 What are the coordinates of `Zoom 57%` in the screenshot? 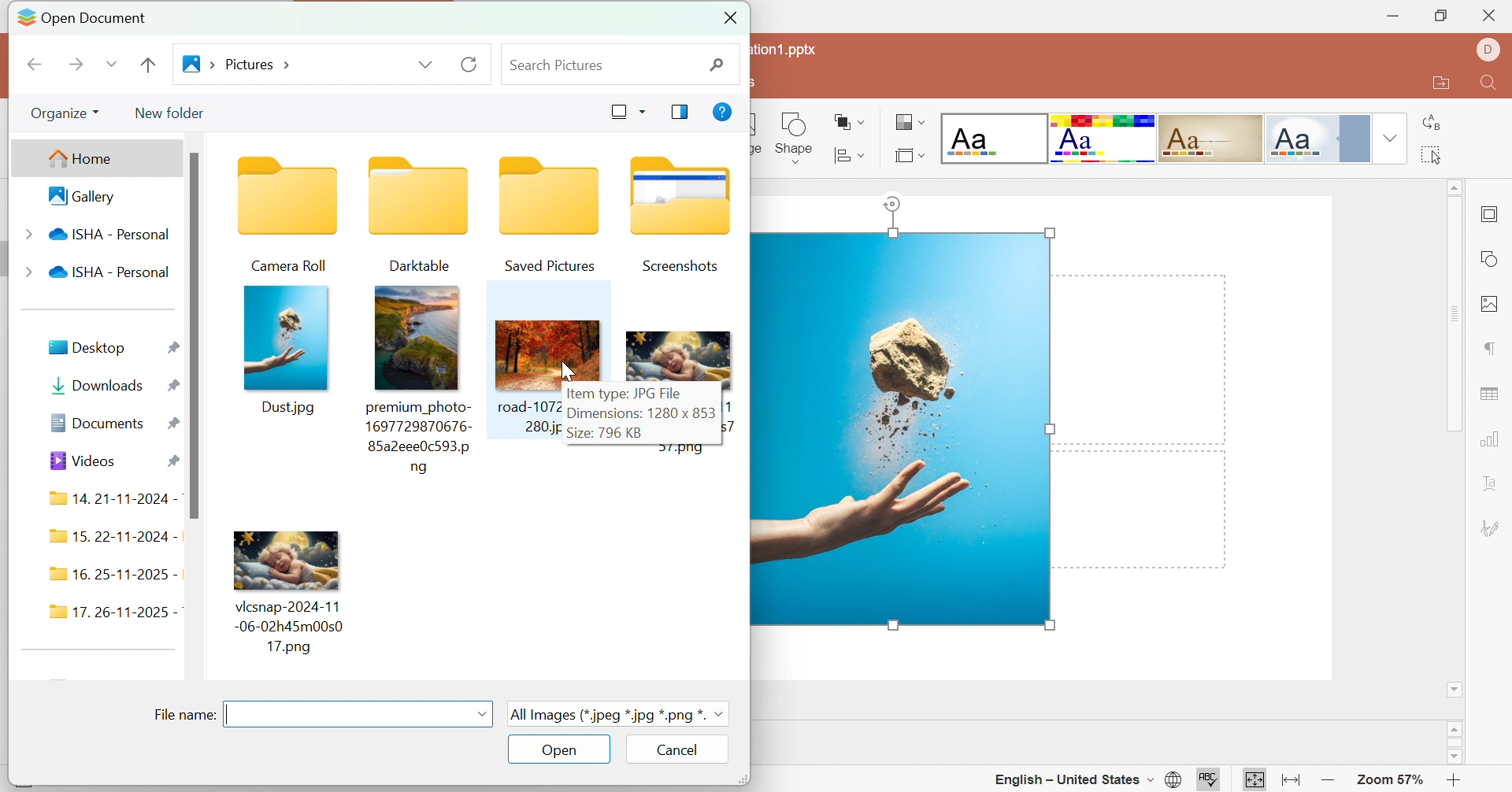 It's located at (1389, 780).